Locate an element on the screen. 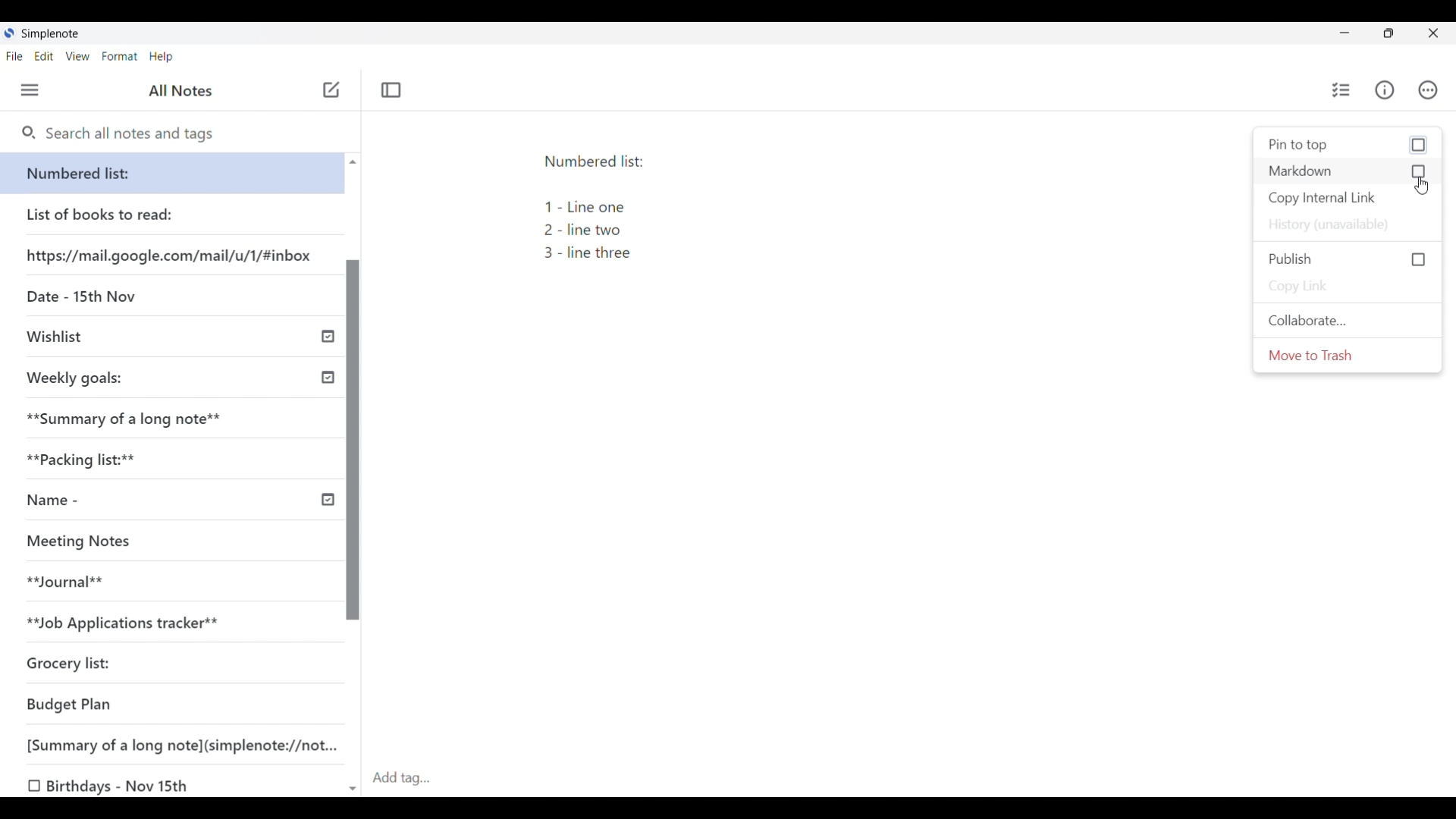 Image resolution: width=1456 pixels, height=819 pixels. Budget Plan is located at coordinates (77, 704).